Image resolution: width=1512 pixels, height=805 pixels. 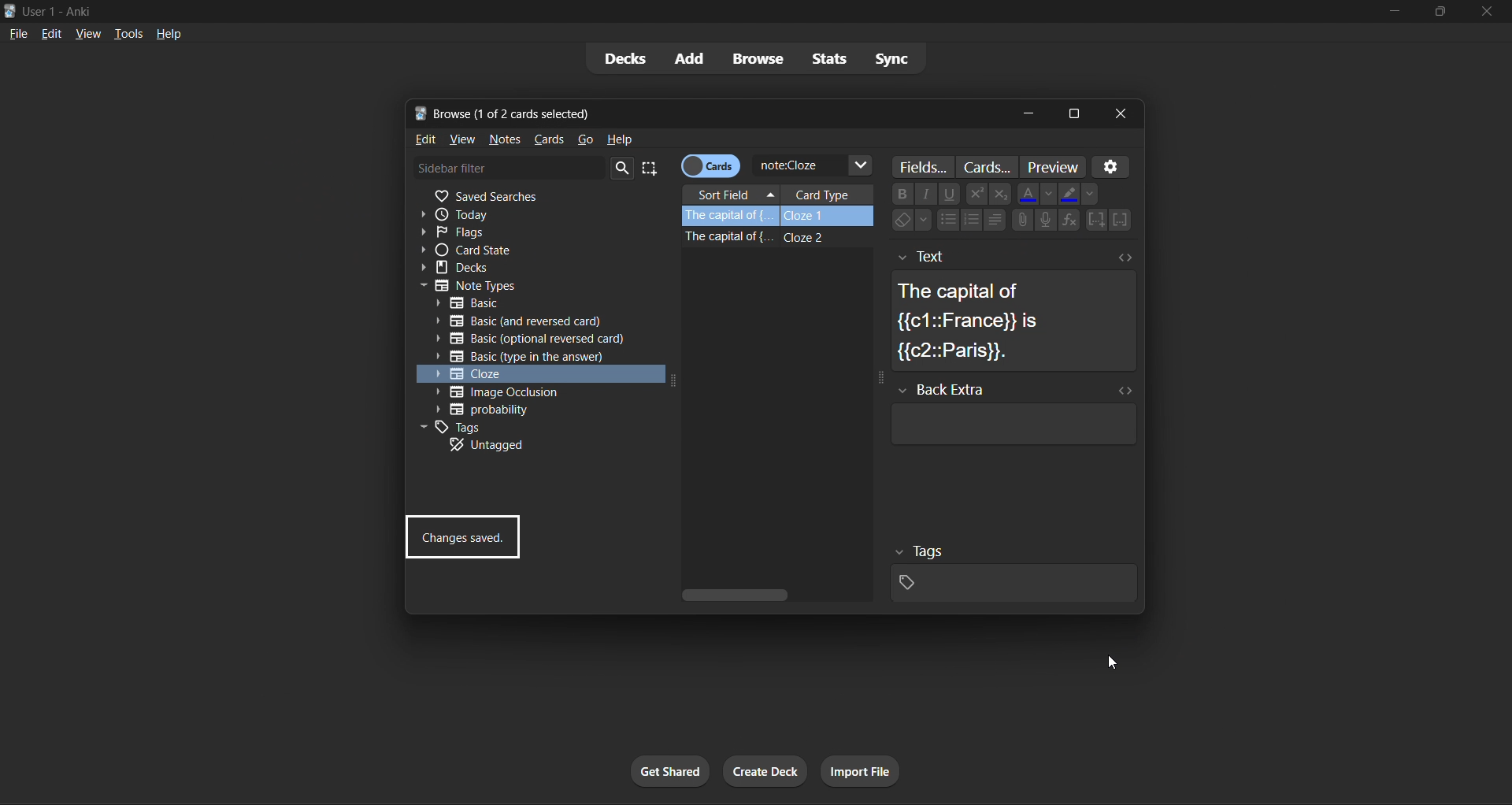 What do you see at coordinates (1052, 166) in the screenshot?
I see `preview card` at bounding box center [1052, 166].